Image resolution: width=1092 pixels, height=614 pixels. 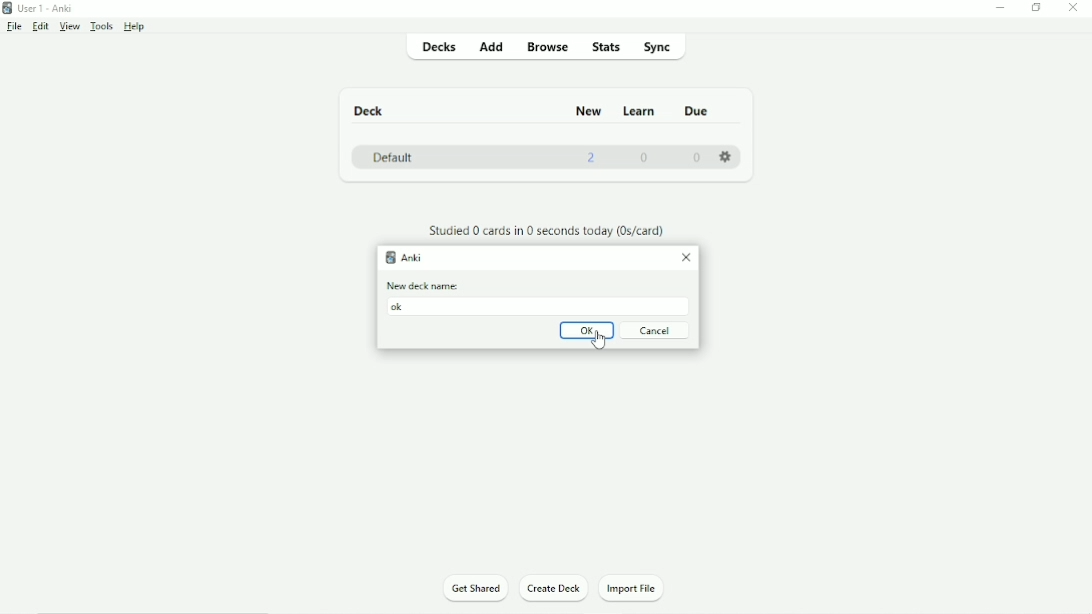 What do you see at coordinates (587, 331) in the screenshot?
I see `OK` at bounding box center [587, 331].